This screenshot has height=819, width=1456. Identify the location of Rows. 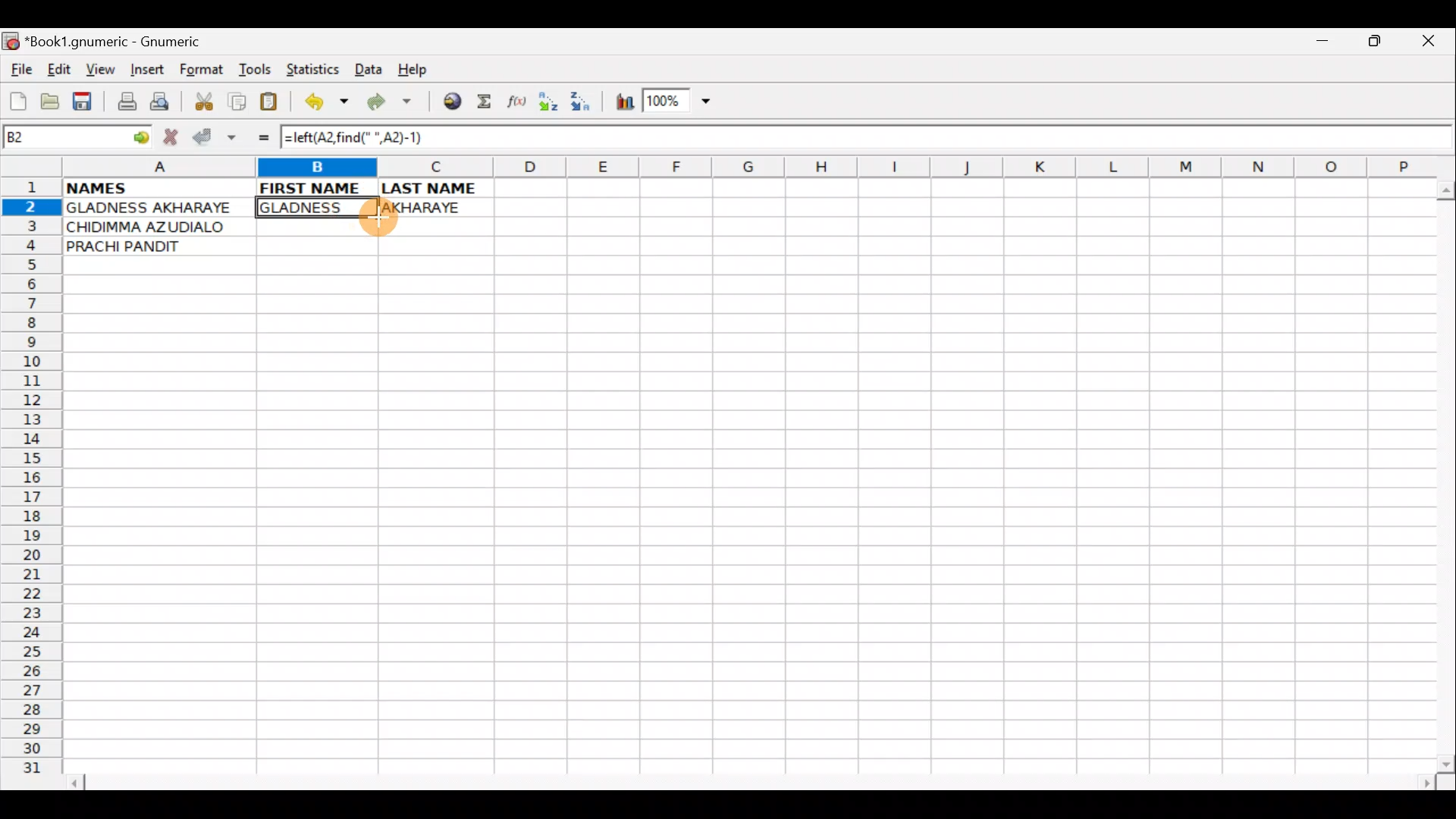
(32, 482).